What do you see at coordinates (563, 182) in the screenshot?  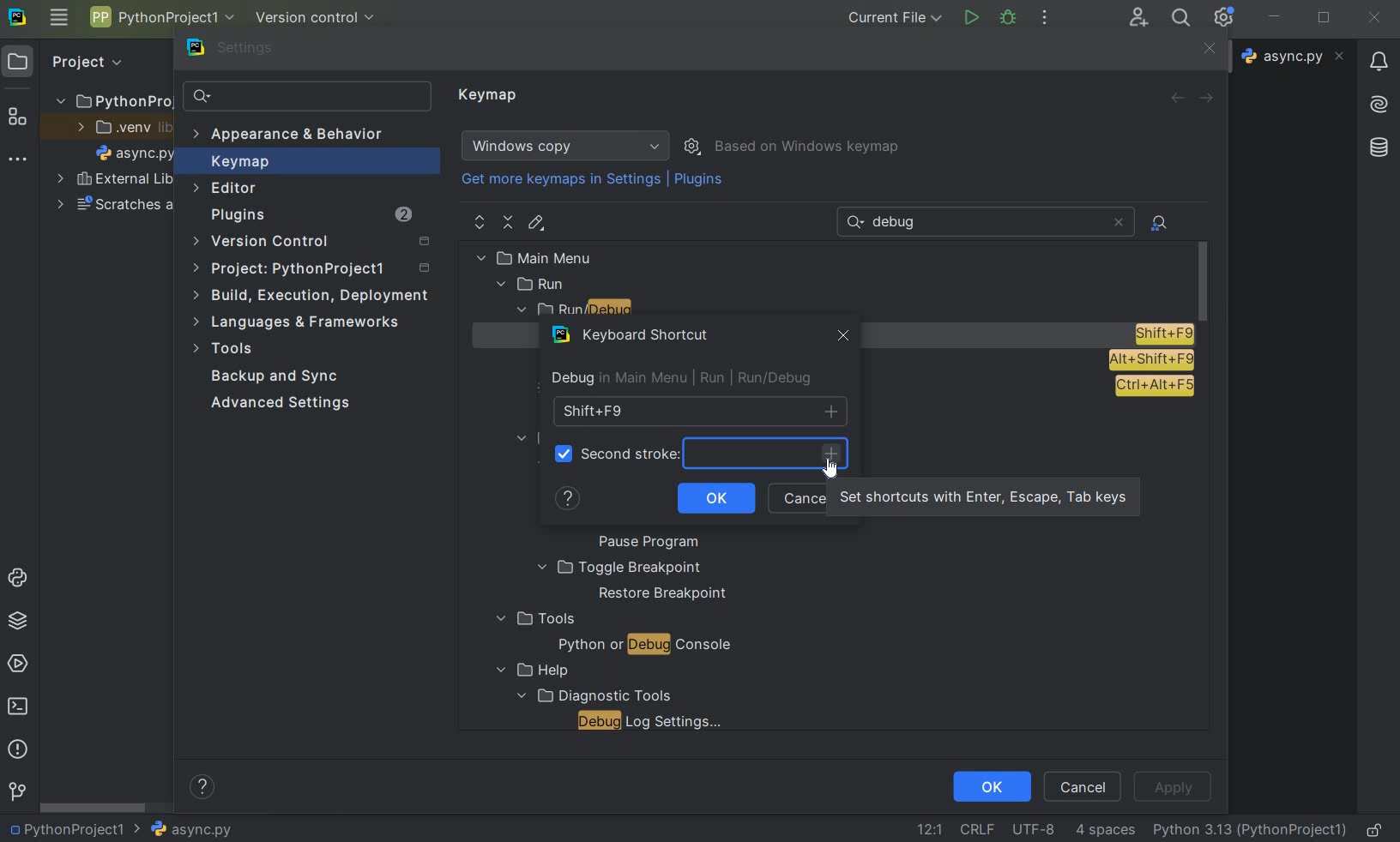 I see `get more keymaps in settings` at bounding box center [563, 182].